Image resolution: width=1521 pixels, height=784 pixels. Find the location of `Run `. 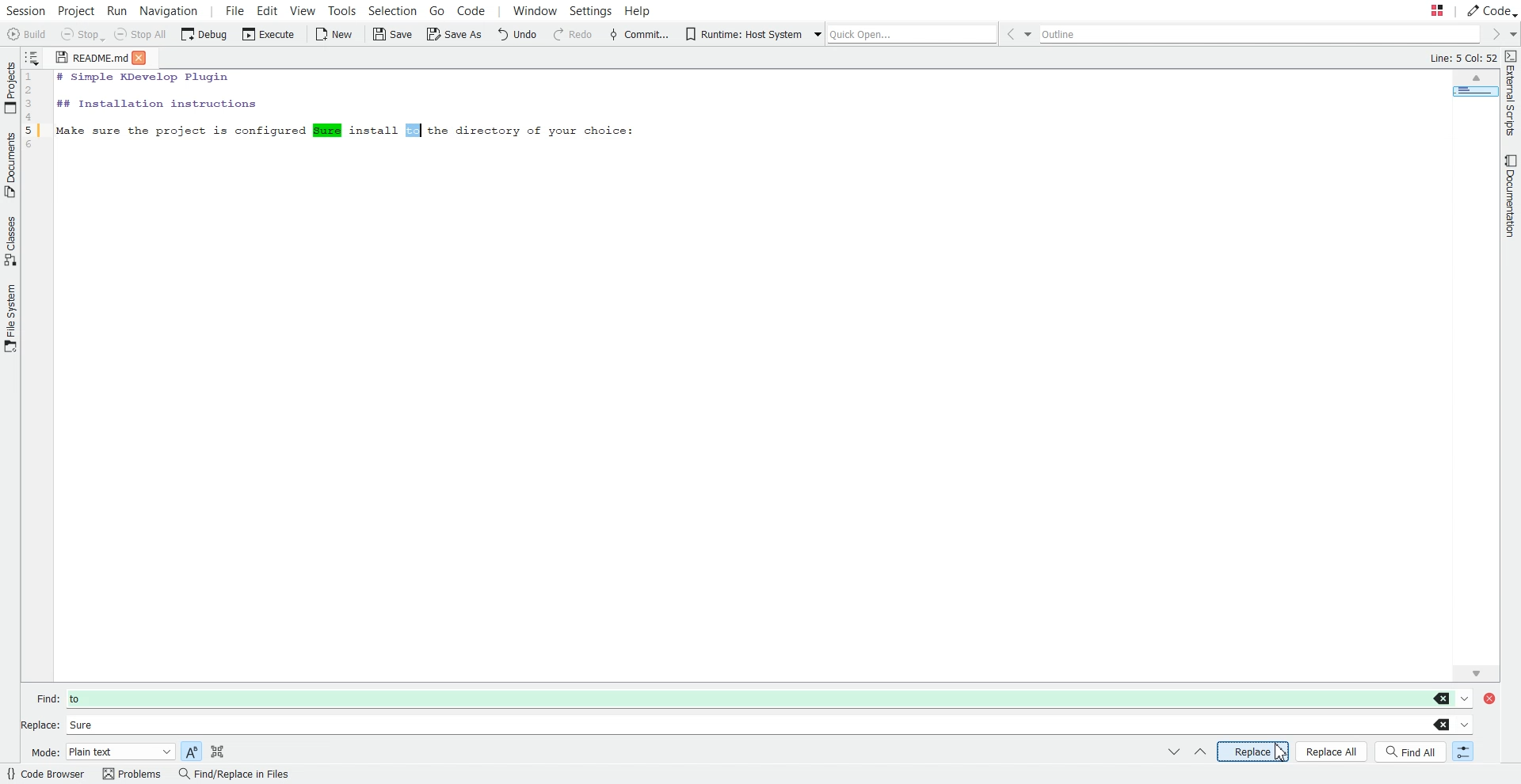

Run  is located at coordinates (120, 10).